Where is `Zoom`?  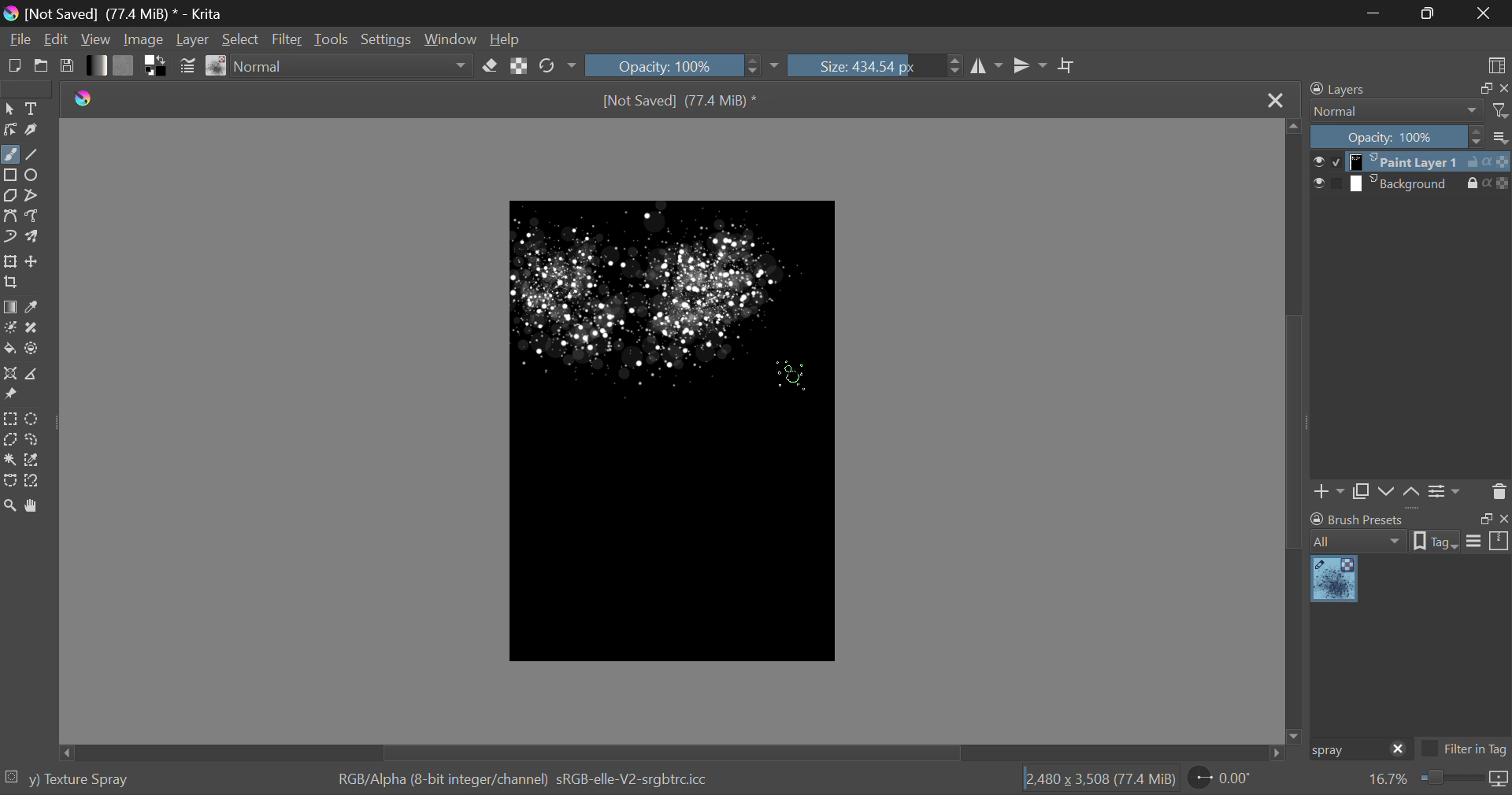
Zoom is located at coordinates (11, 508).